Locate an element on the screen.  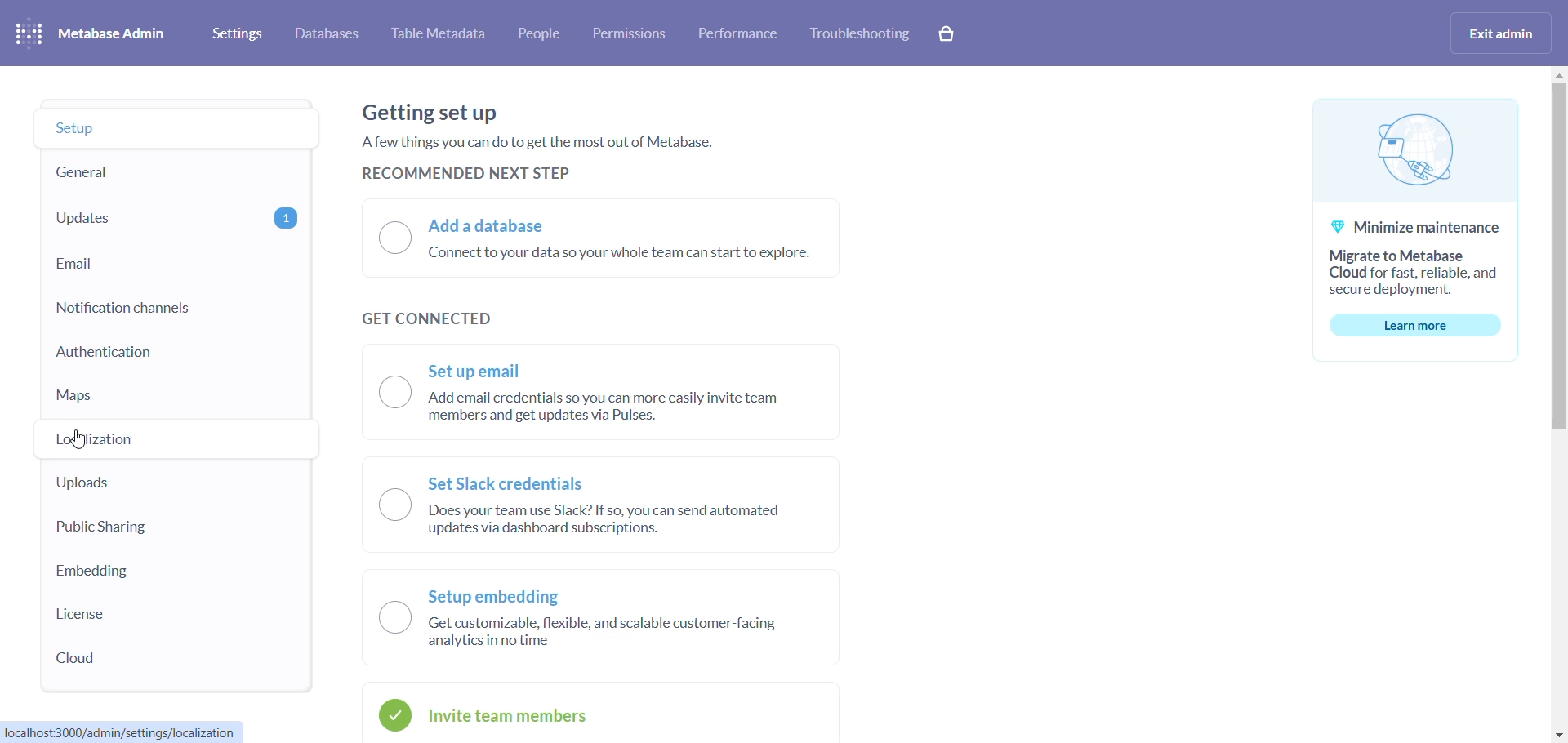
email is located at coordinates (173, 264).